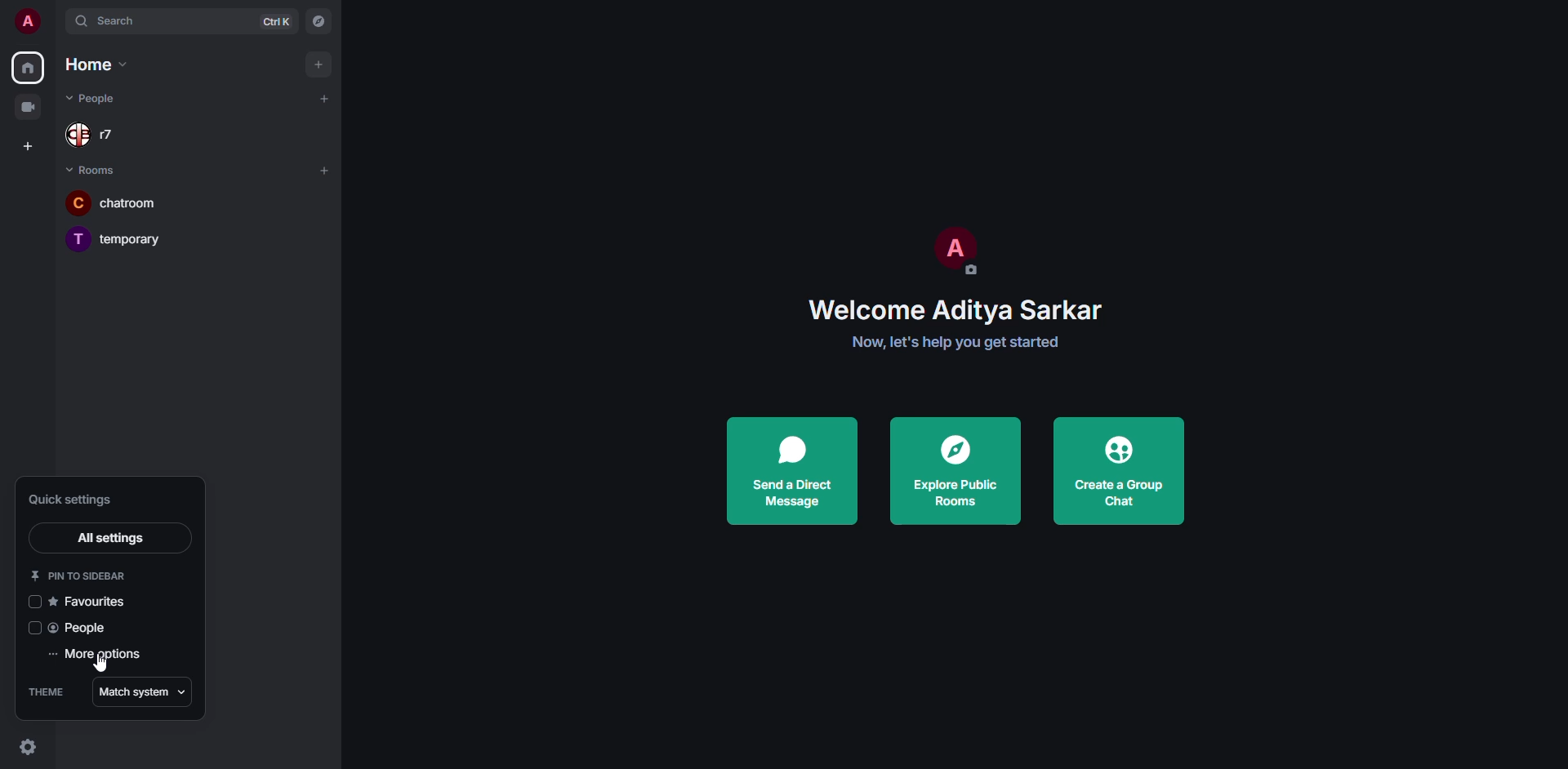 The height and width of the screenshot is (769, 1568). What do you see at coordinates (83, 500) in the screenshot?
I see `quick settings` at bounding box center [83, 500].